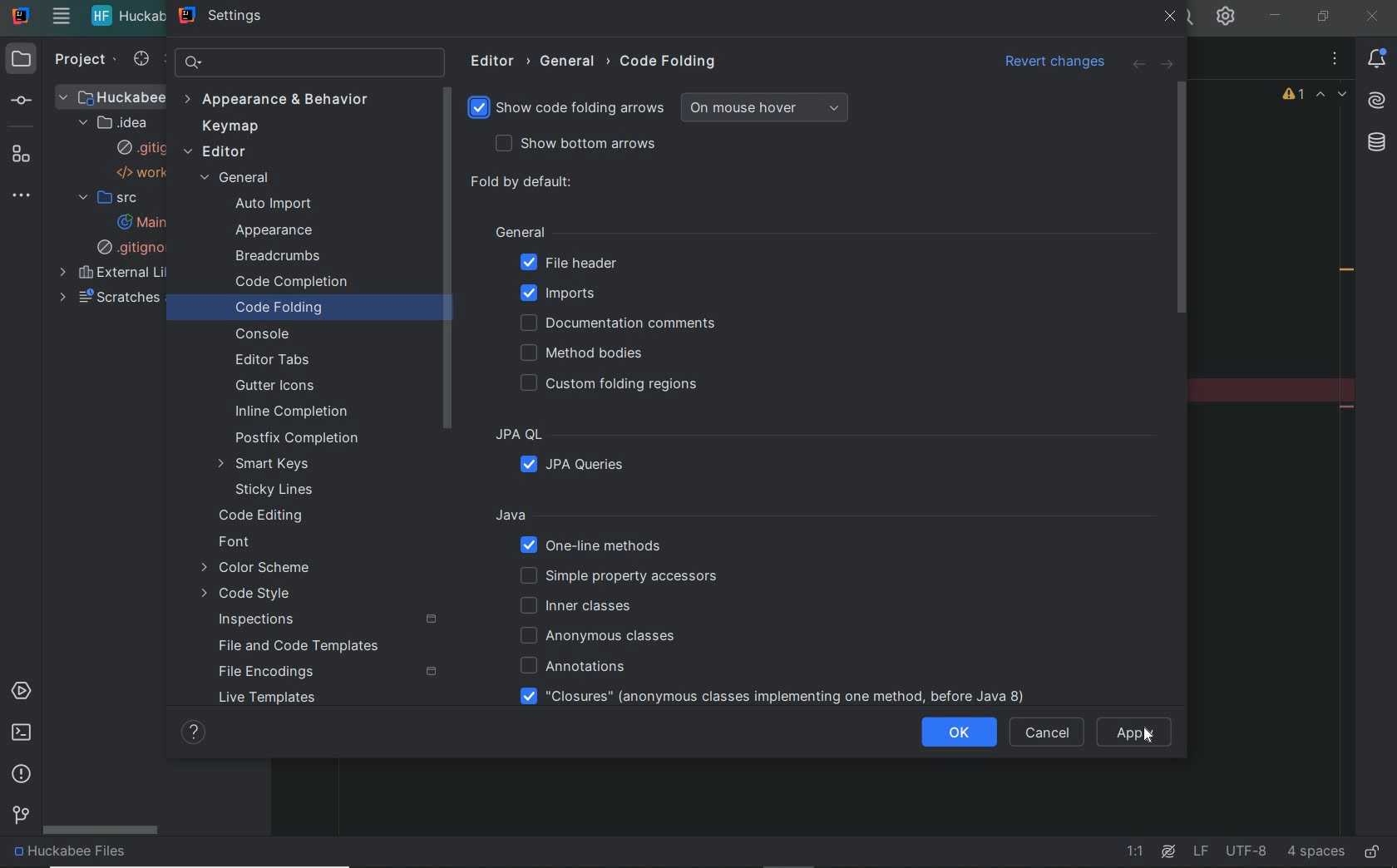  What do you see at coordinates (259, 569) in the screenshot?
I see `color scheme` at bounding box center [259, 569].